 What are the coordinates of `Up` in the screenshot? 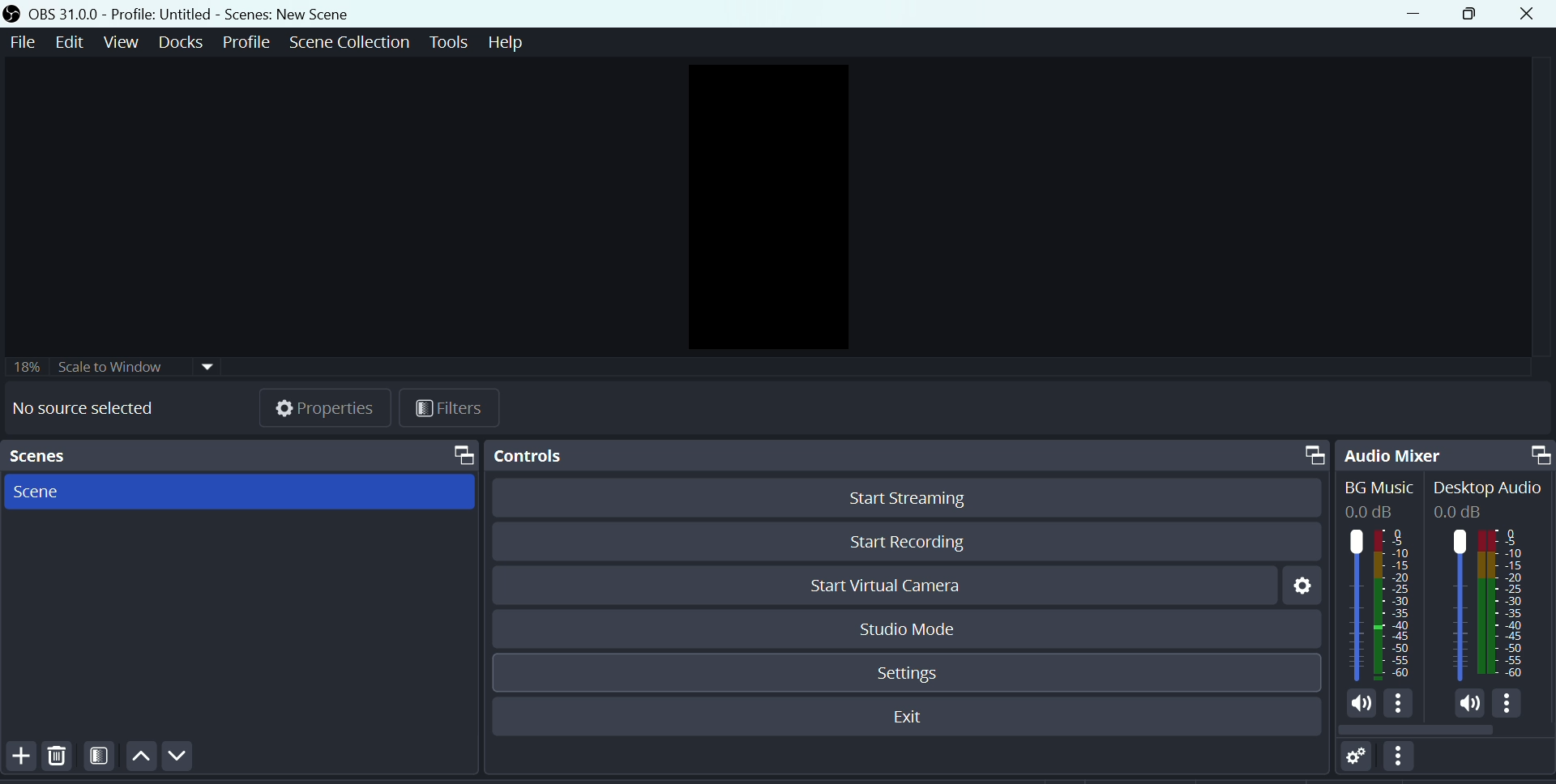 It's located at (143, 761).